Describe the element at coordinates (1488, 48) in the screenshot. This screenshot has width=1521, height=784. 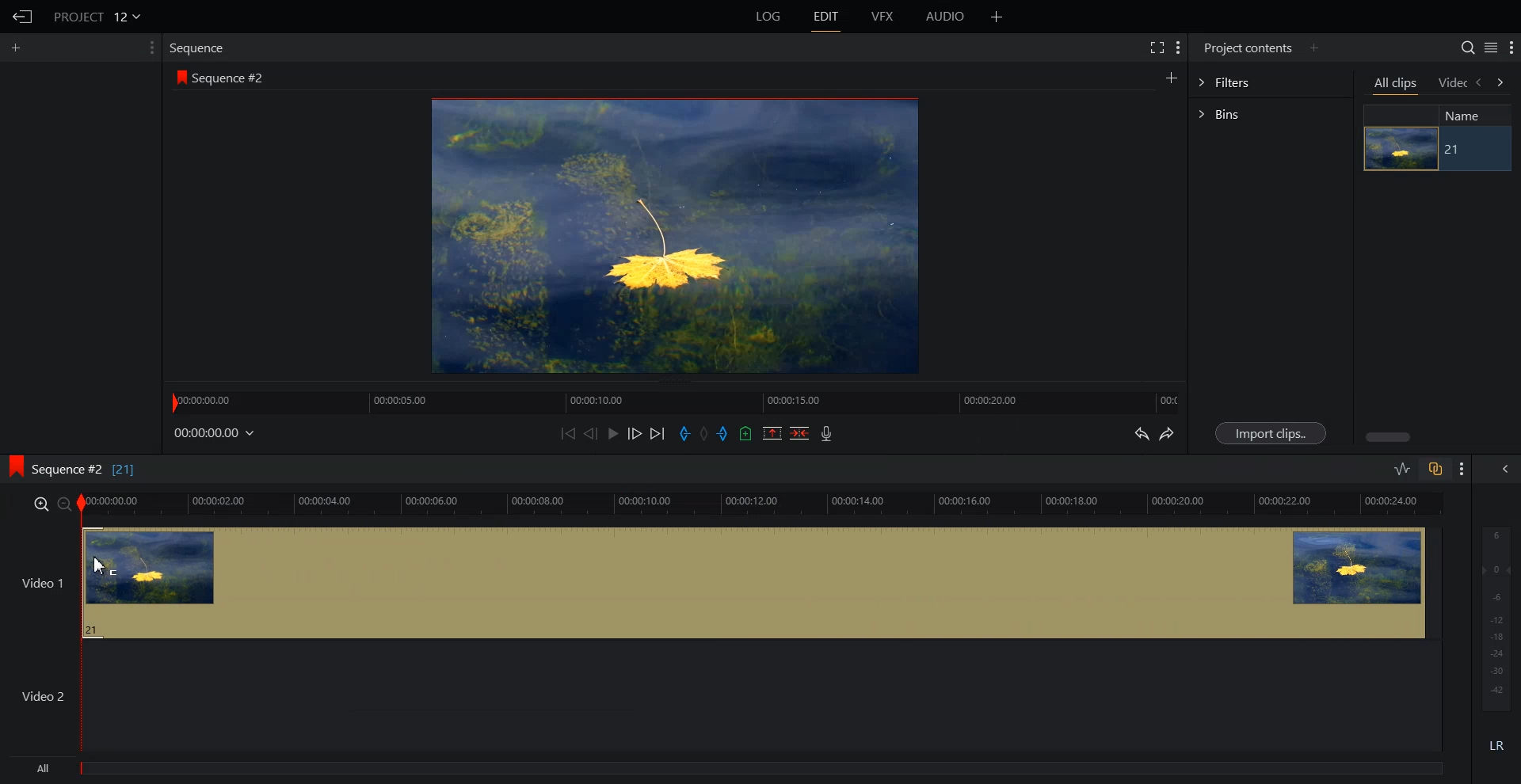
I see `Toggle between list and tile view` at that location.